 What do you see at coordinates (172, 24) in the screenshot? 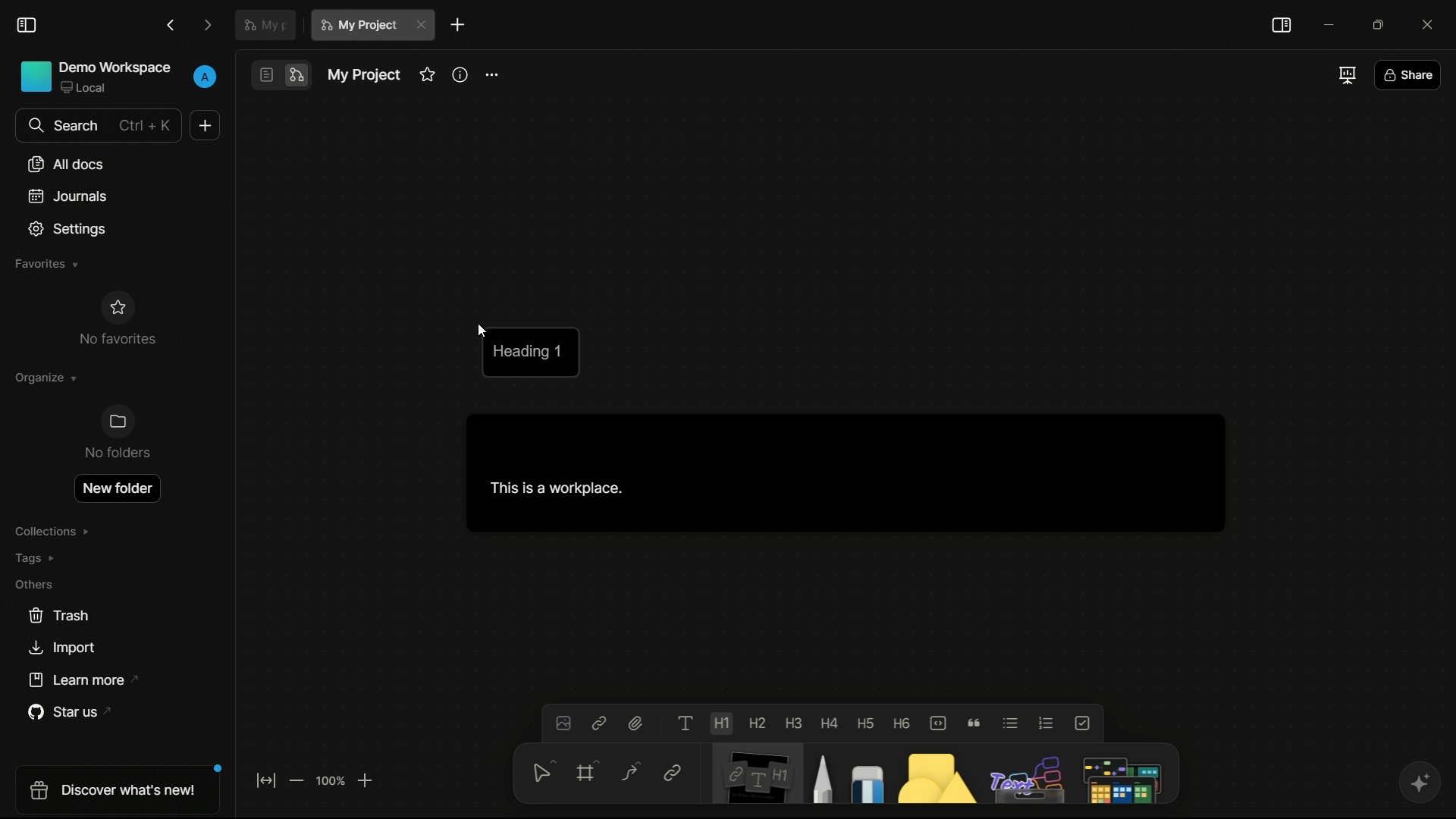
I see `back` at bounding box center [172, 24].